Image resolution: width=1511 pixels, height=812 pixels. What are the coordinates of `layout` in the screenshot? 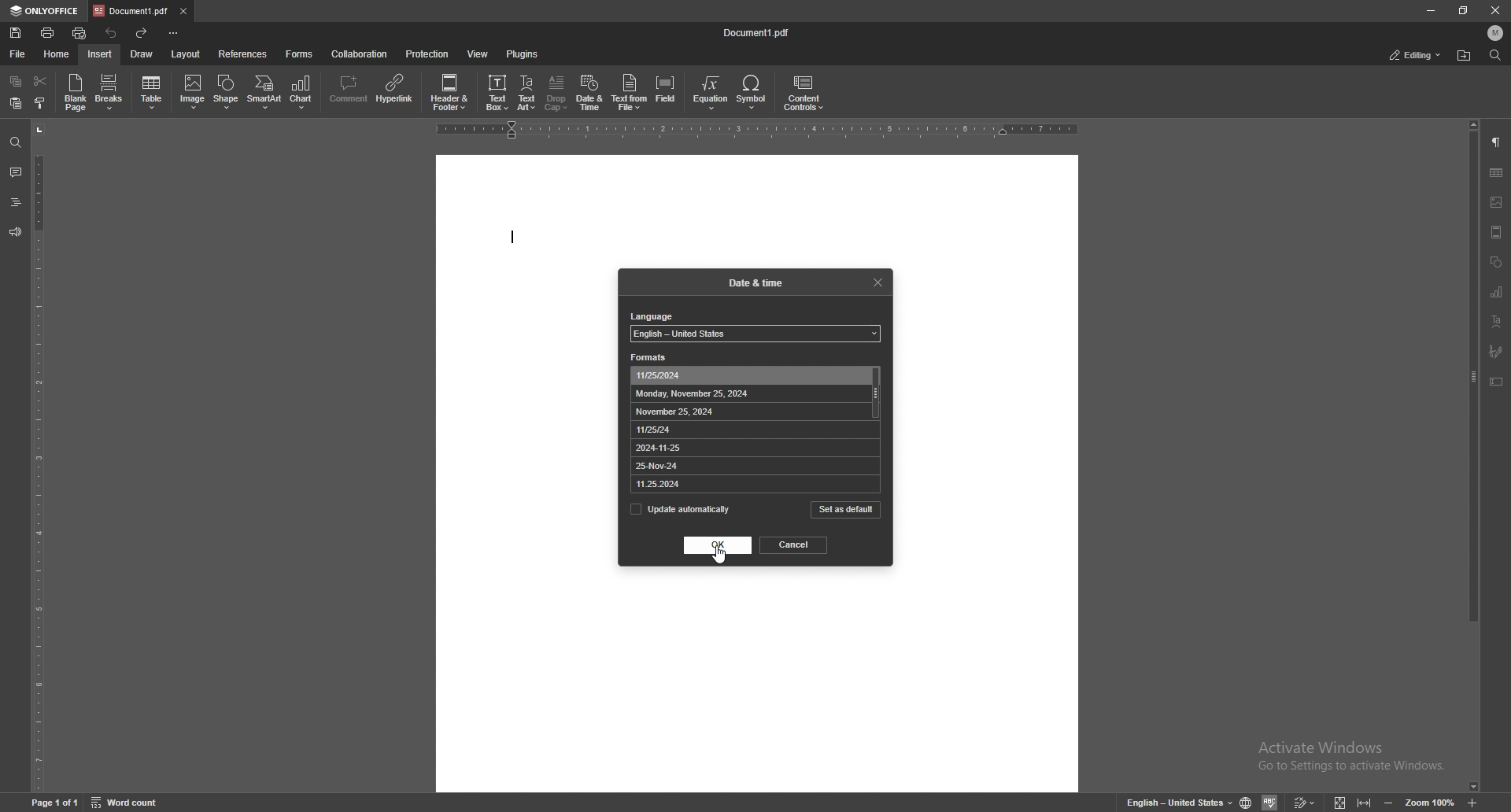 It's located at (187, 55).